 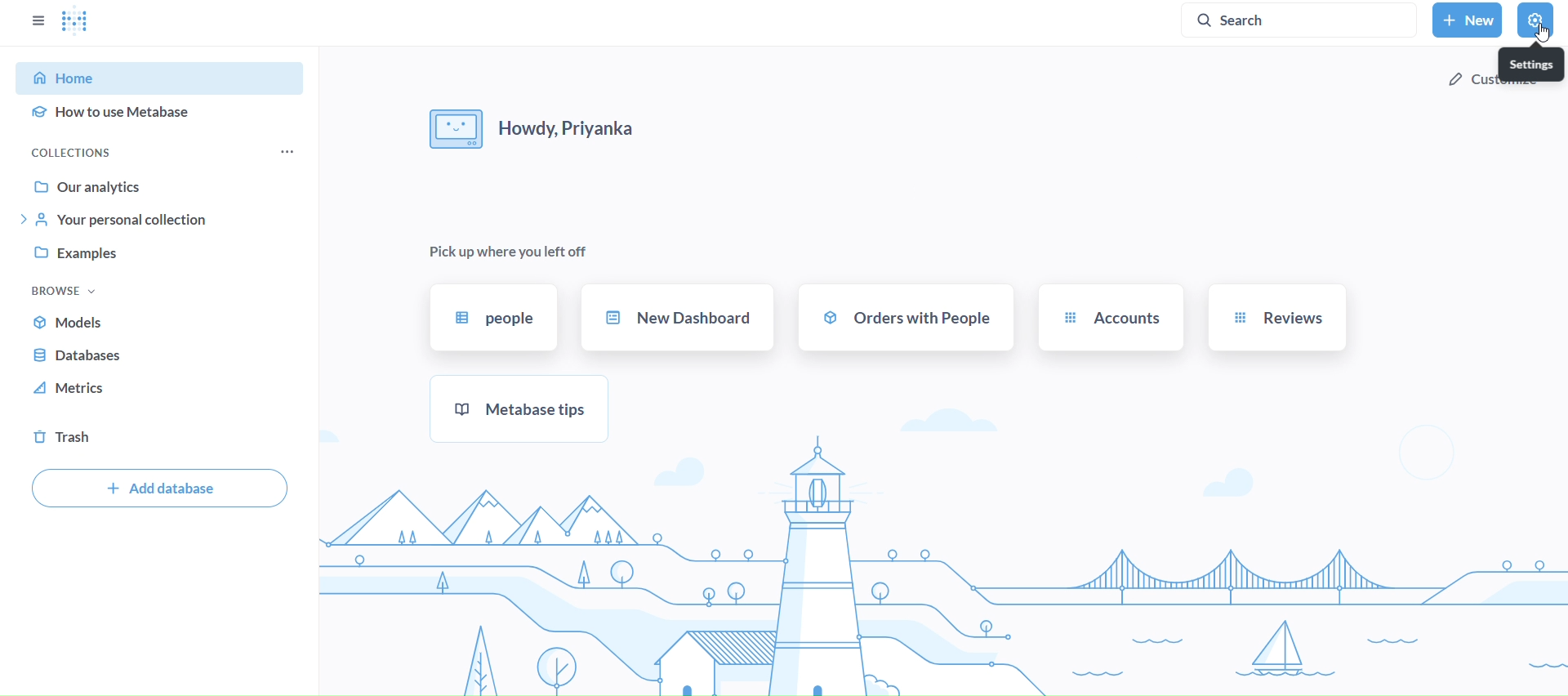 I want to click on cursor, so click(x=1544, y=33).